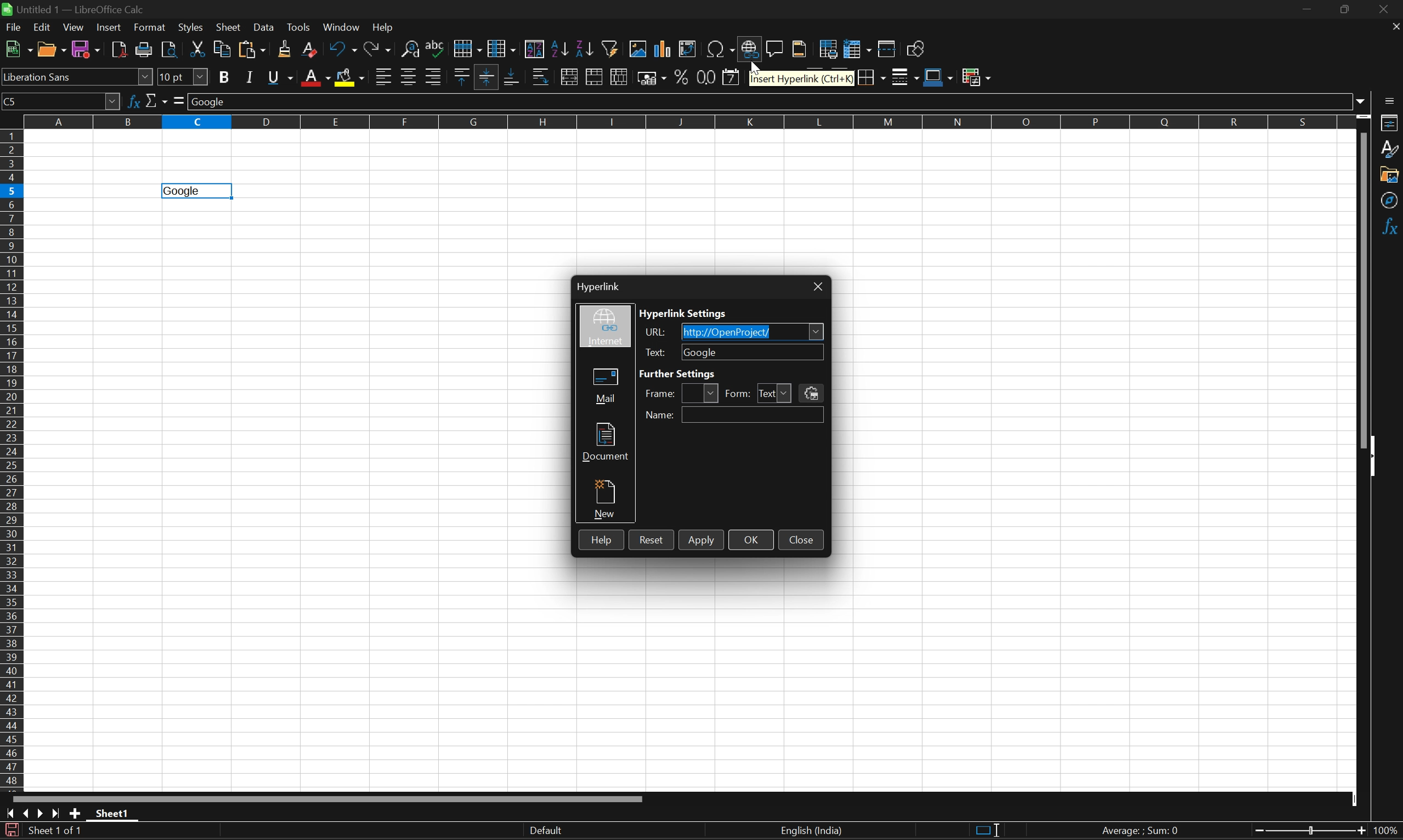  I want to click on Bold, so click(226, 77).